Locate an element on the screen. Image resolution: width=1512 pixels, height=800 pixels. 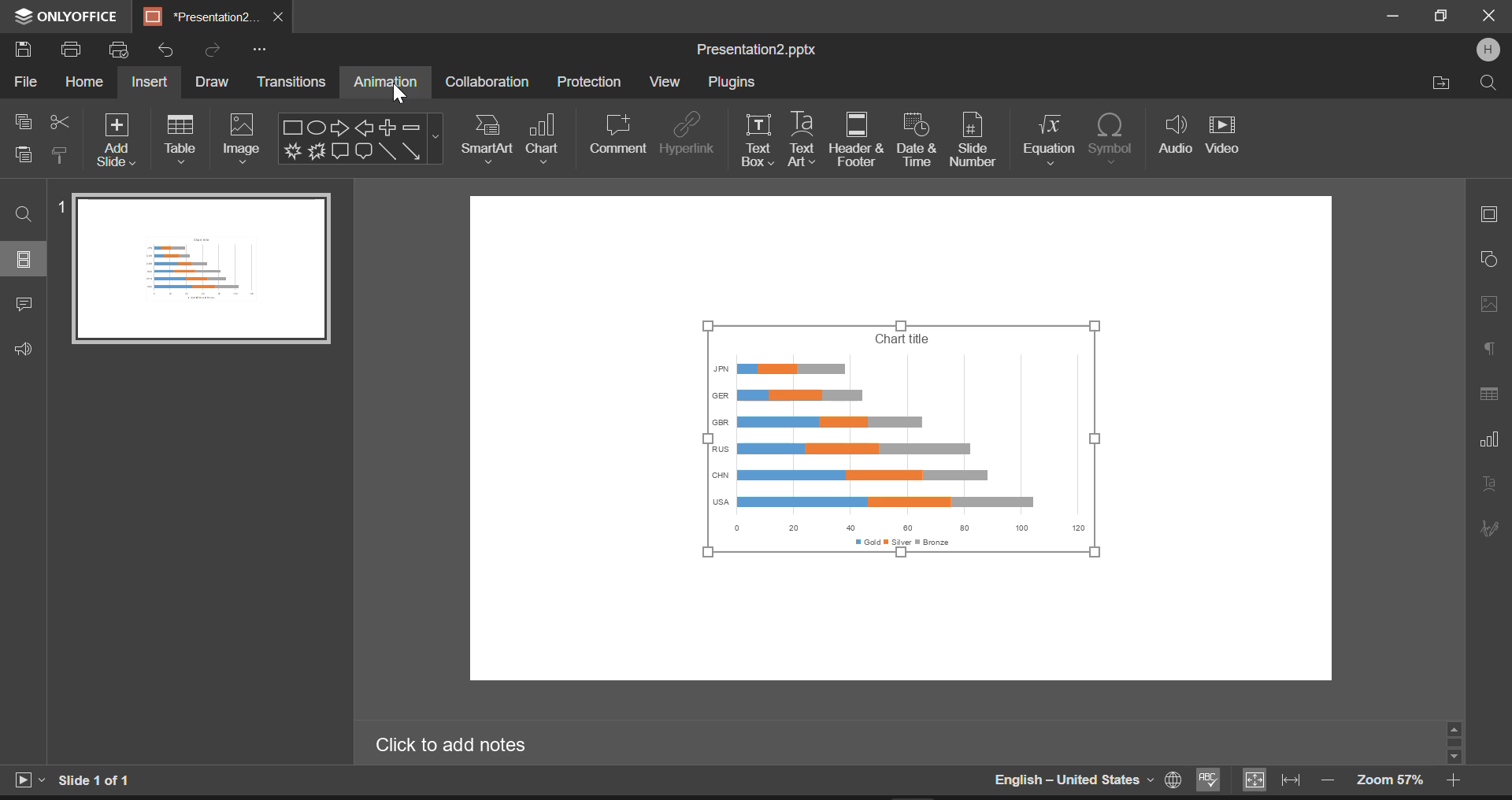
Symbol is located at coordinates (1111, 139).